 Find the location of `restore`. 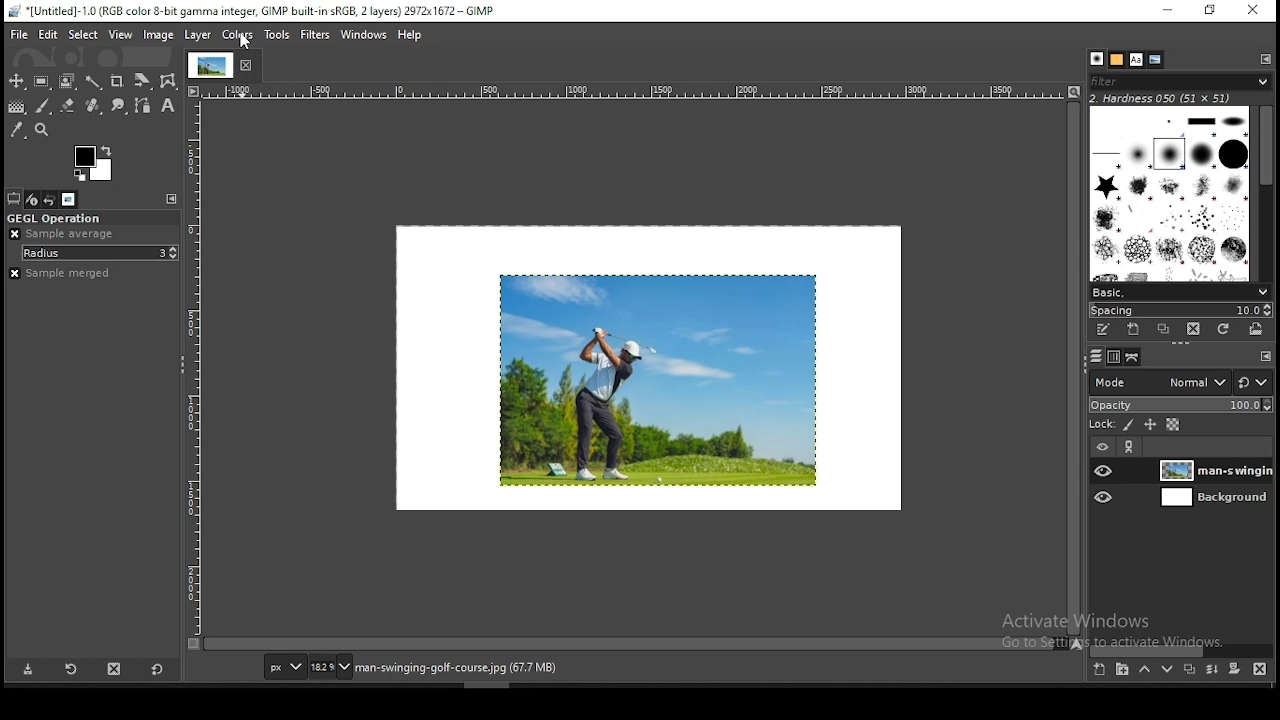

restore is located at coordinates (1212, 12).